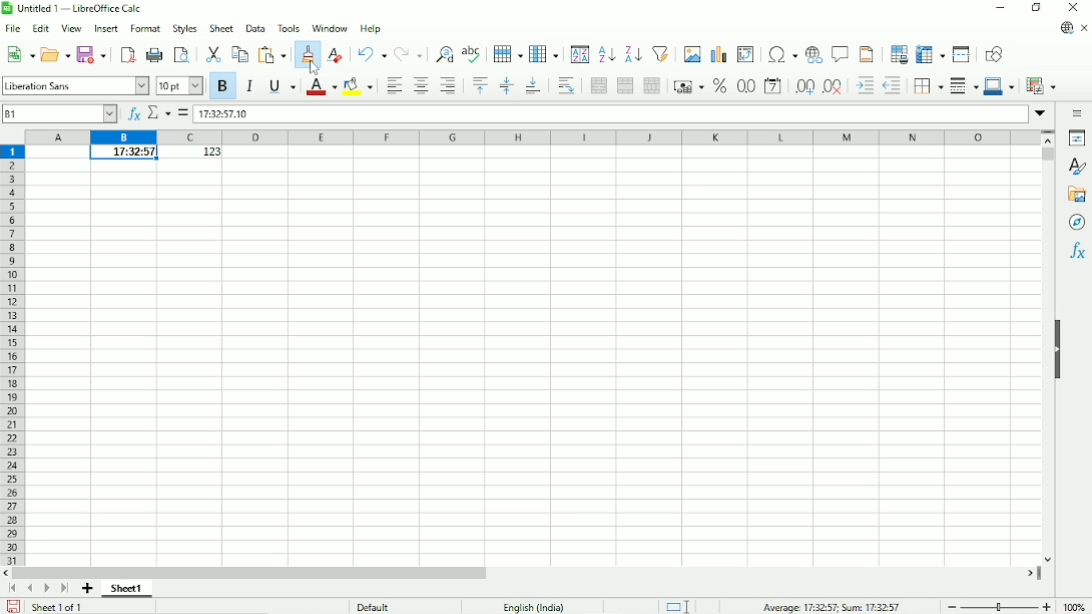 The width and height of the screenshot is (1092, 614). I want to click on Sort, so click(578, 55).